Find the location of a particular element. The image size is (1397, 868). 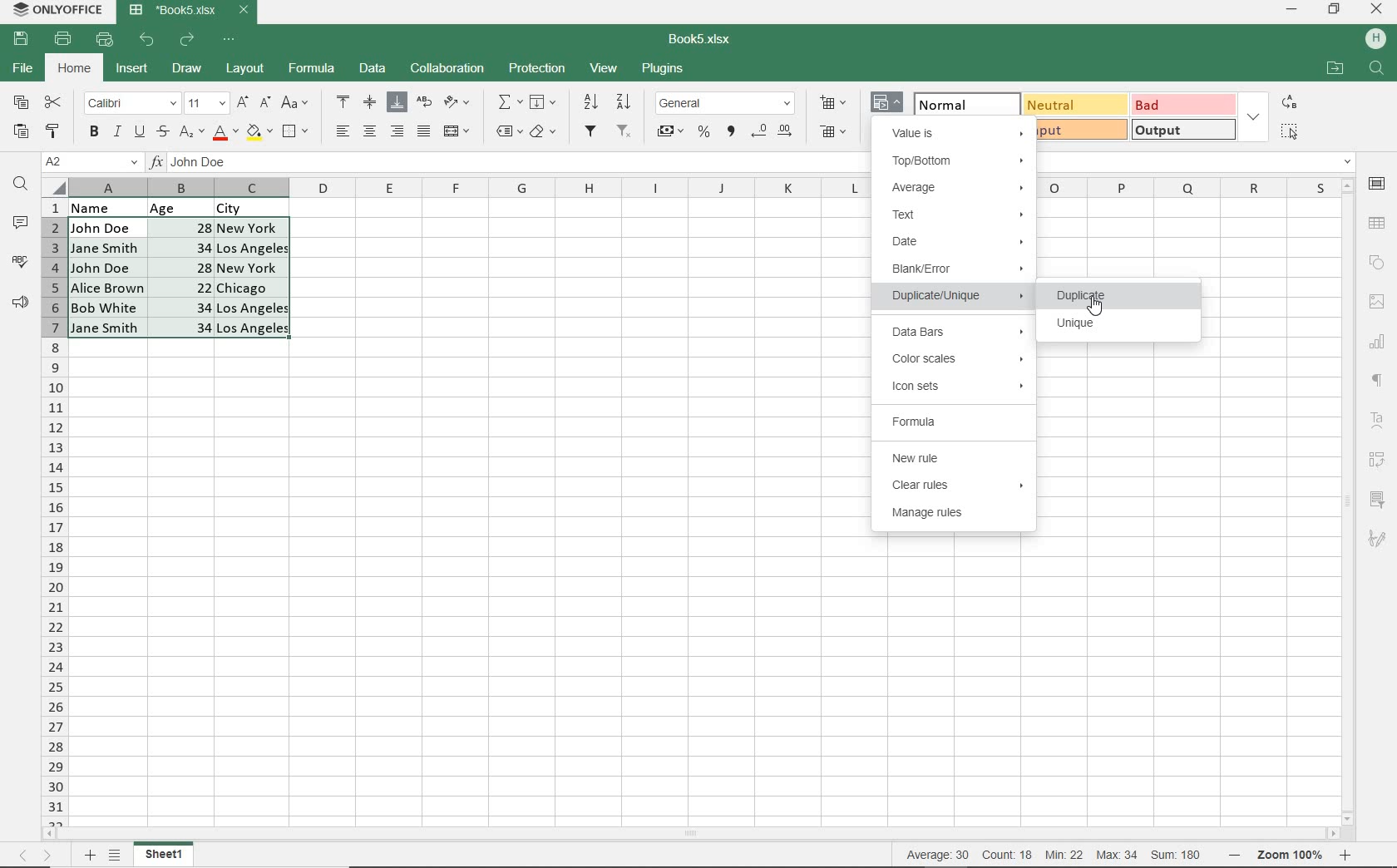

ALIGN TOP is located at coordinates (344, 101).